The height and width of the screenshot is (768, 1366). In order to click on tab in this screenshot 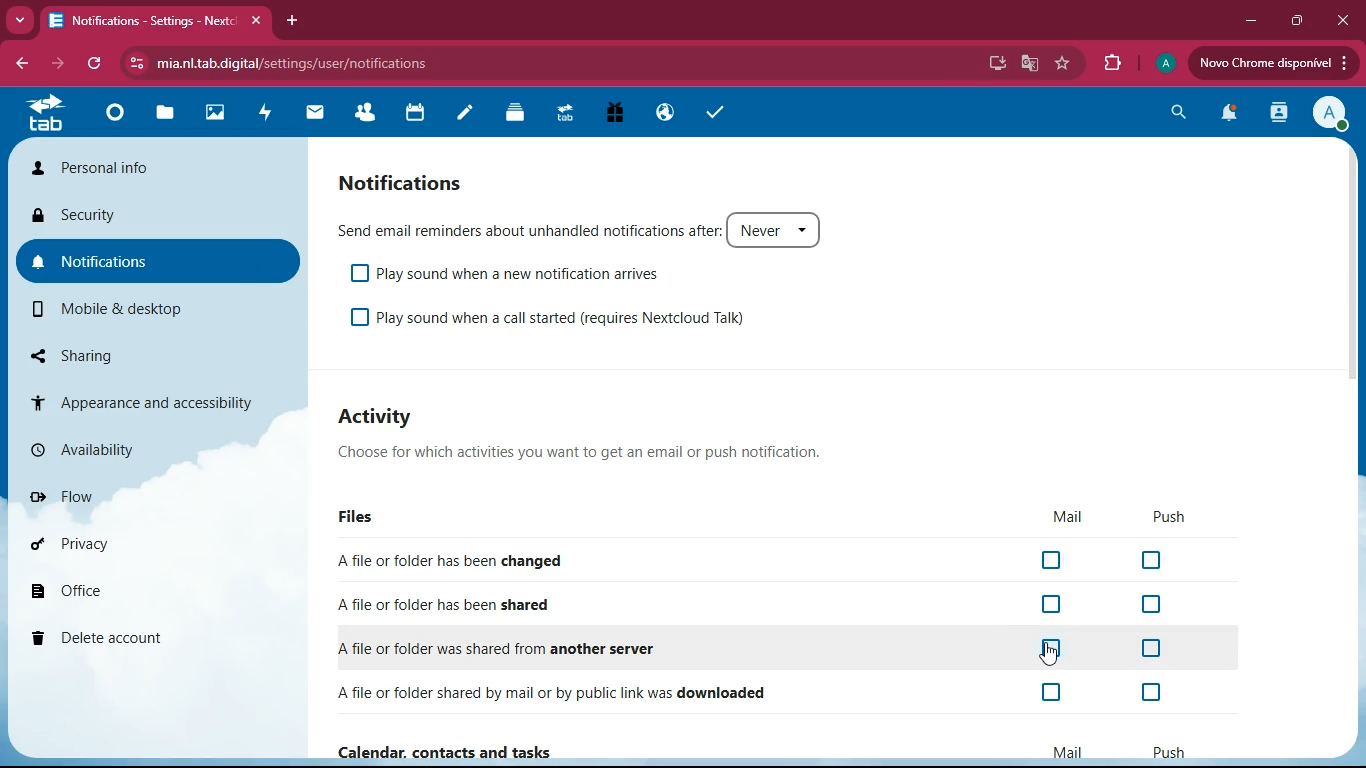, I will do `click(563, 116)`.